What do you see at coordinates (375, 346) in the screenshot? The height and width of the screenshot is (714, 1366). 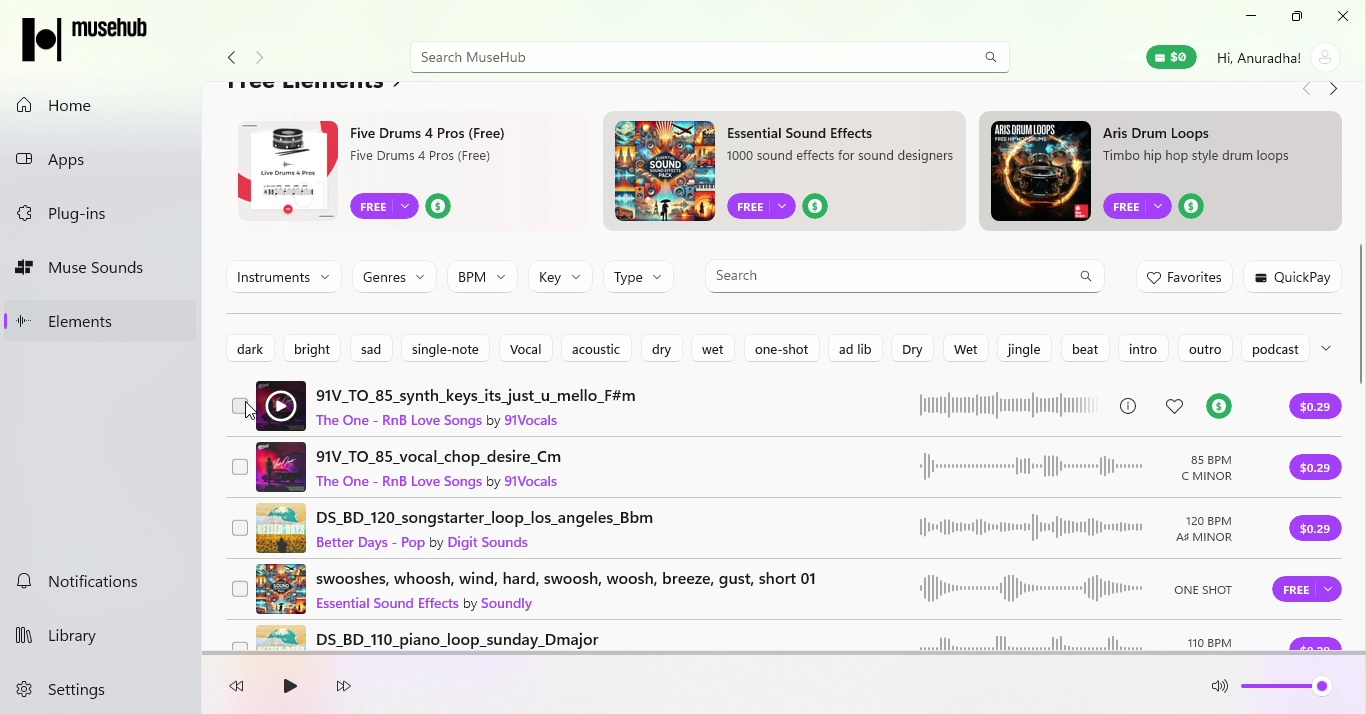 I see `Sad` at bounding box center [375, 346].